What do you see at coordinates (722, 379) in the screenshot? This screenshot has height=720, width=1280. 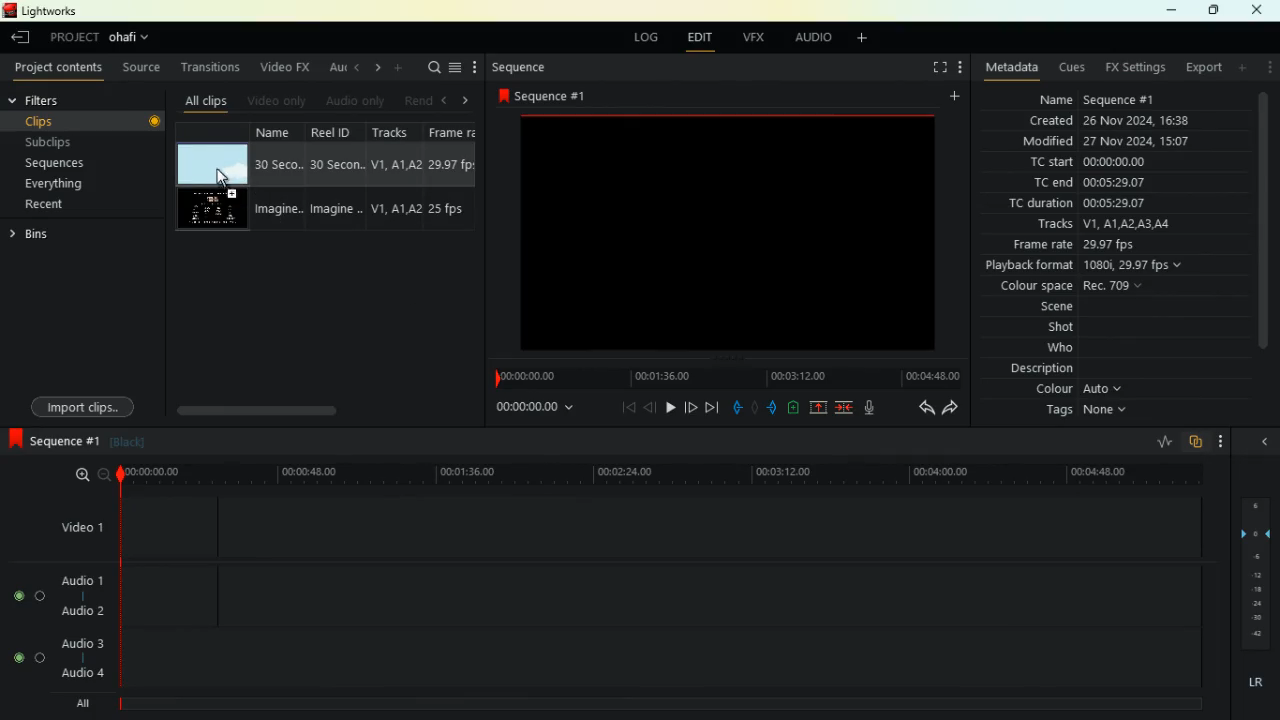 I see `timeline` at bounding box center [722, 379].